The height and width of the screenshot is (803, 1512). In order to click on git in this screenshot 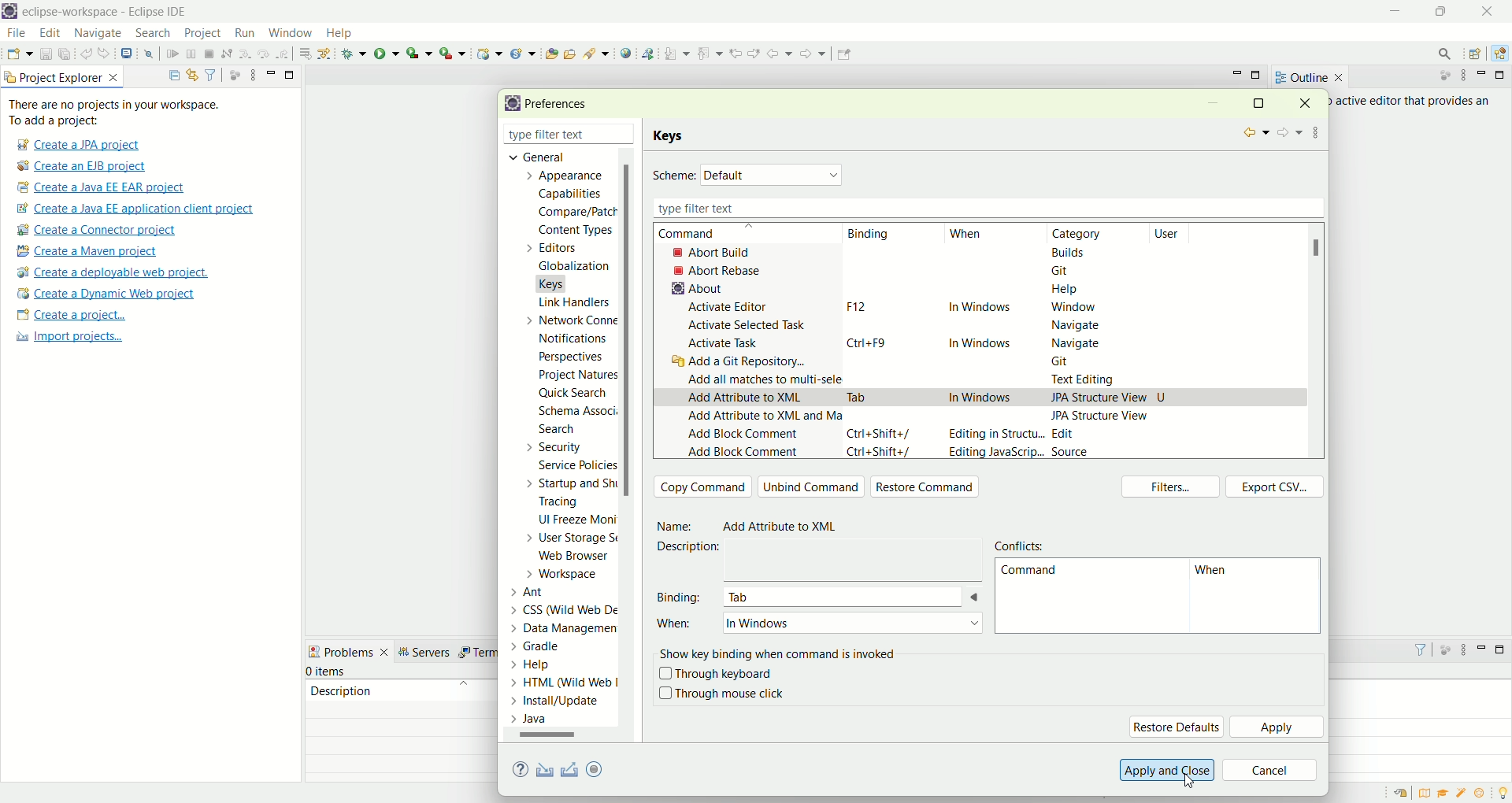, I will do `click(1065, 270)`.